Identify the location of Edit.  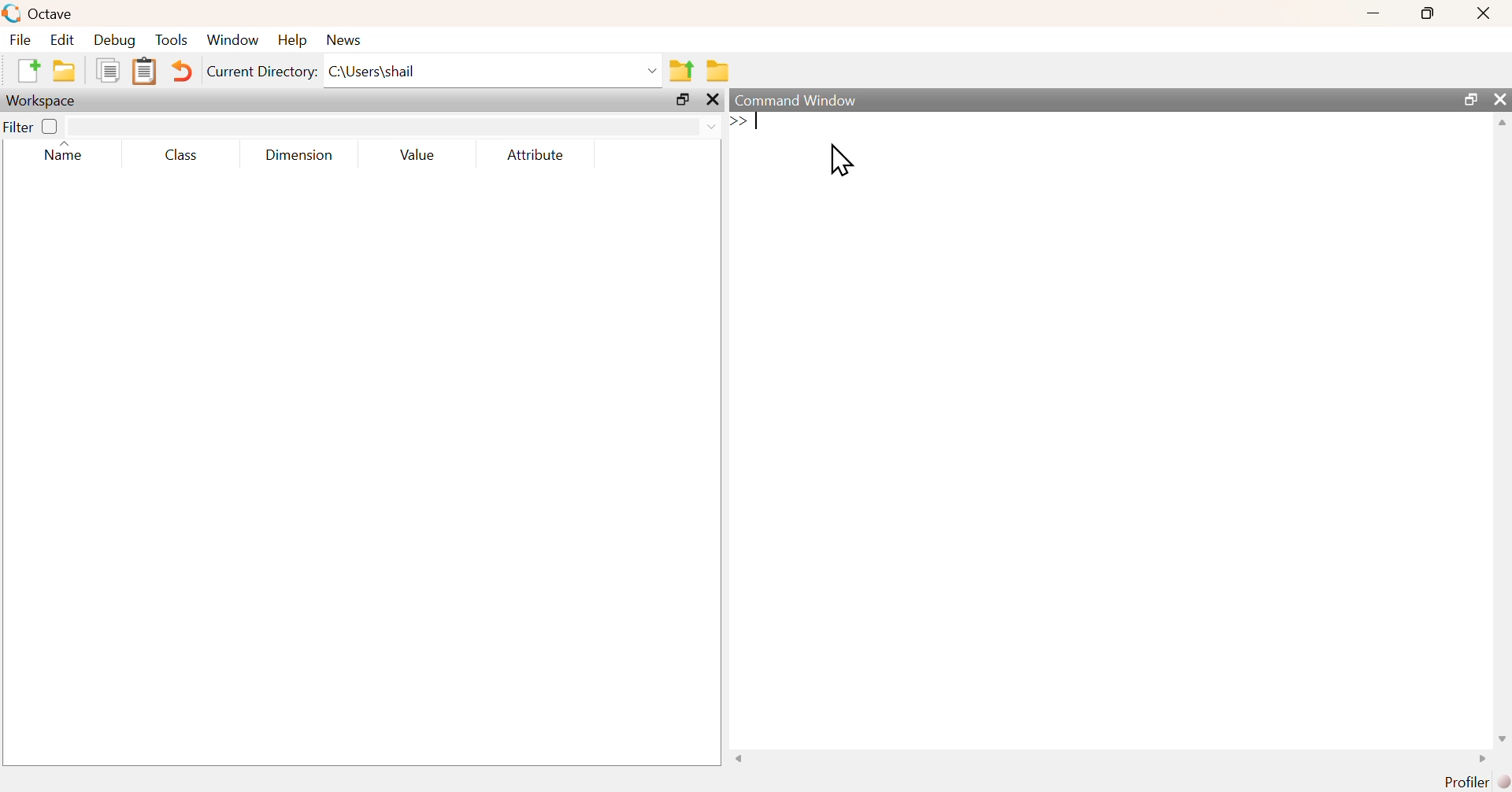
(61, 39).